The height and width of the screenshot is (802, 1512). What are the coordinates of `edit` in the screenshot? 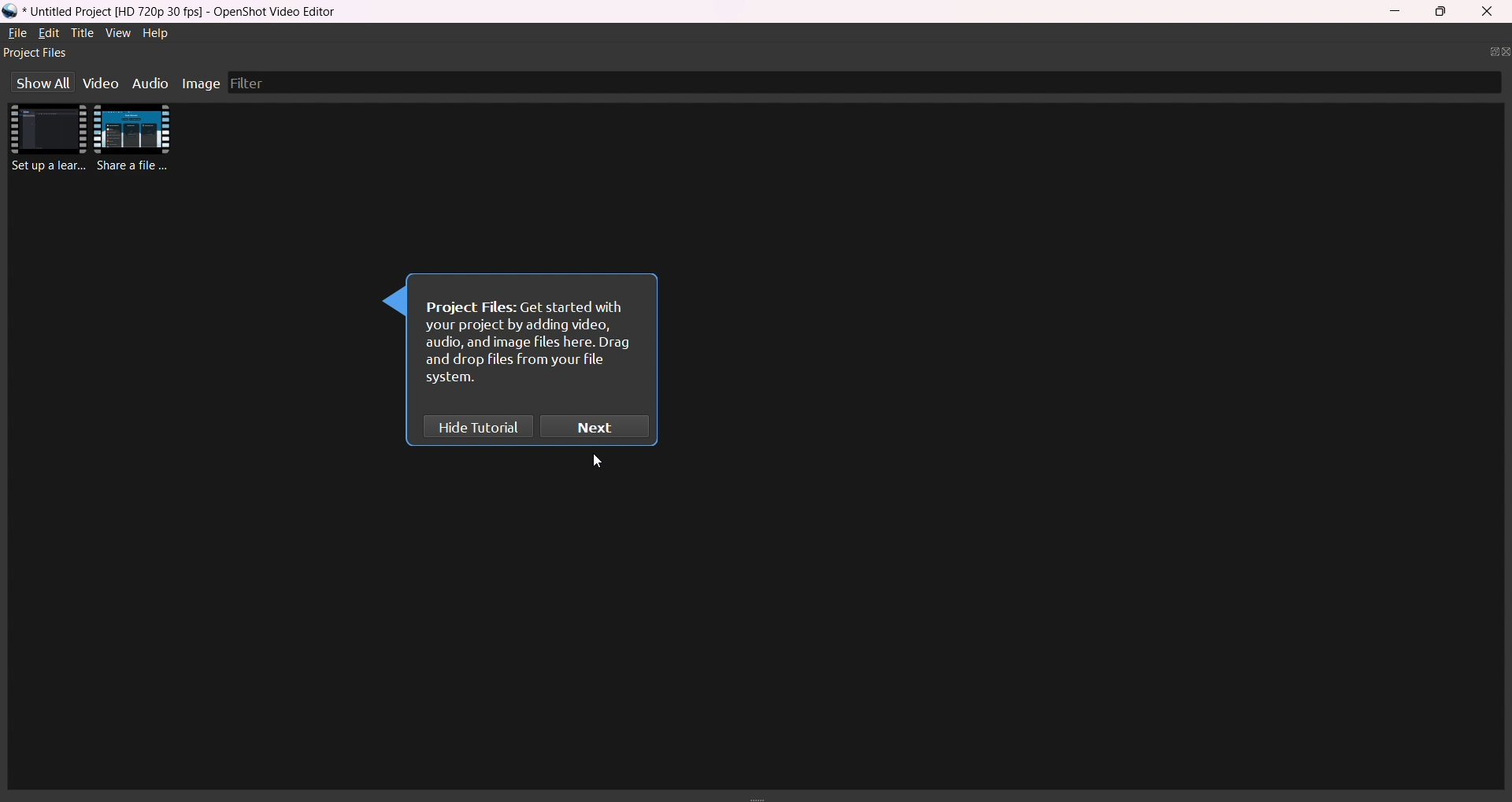 It's located at (47, 34).